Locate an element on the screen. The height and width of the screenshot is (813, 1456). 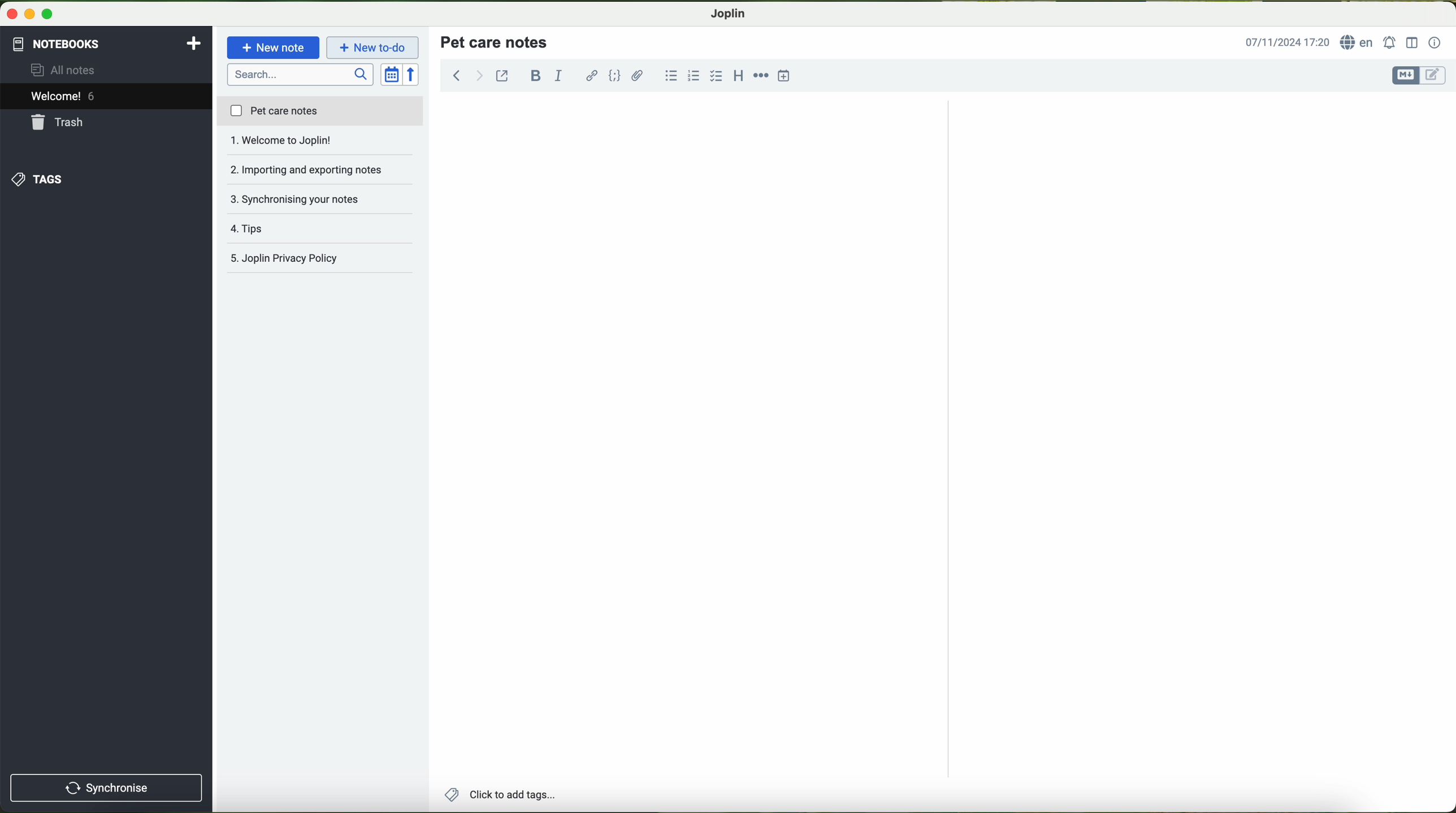
navigation arrows is located at coordinates (466, 75).